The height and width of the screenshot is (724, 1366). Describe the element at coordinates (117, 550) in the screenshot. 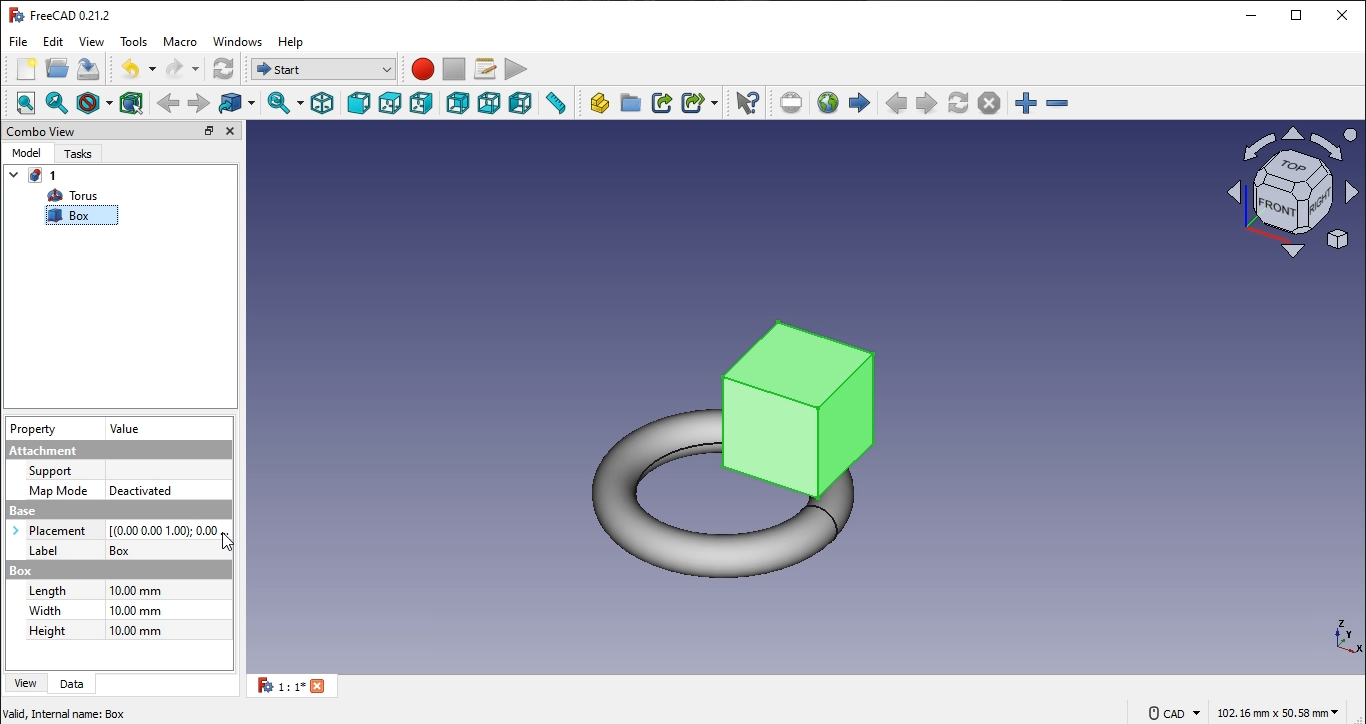

I see `Label Box ` at that location.